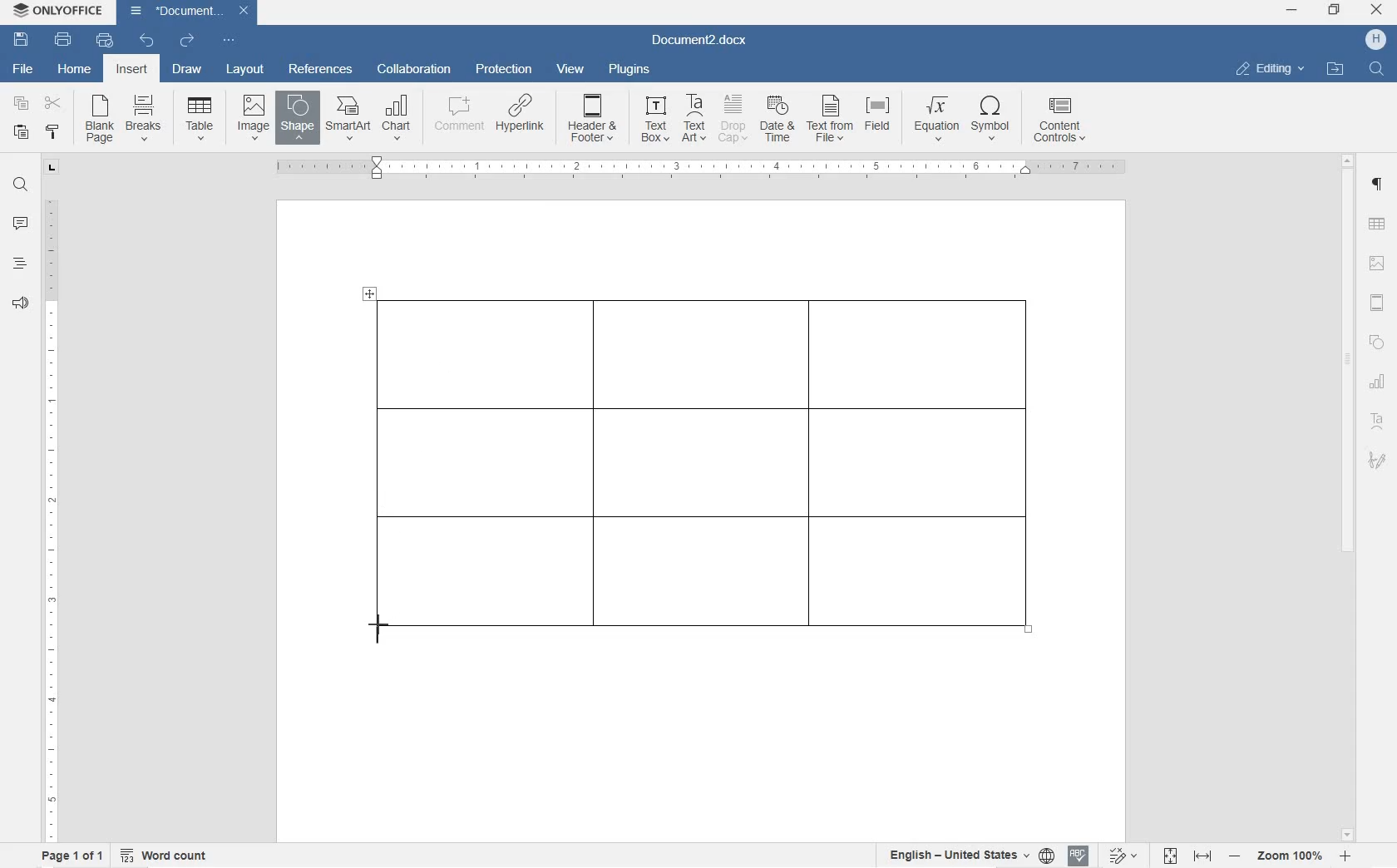 The image size is (1397, 868). What do you see at coordinates (187, 42) in the screenshot?
I see `redo` at bounding box center [187, 42].